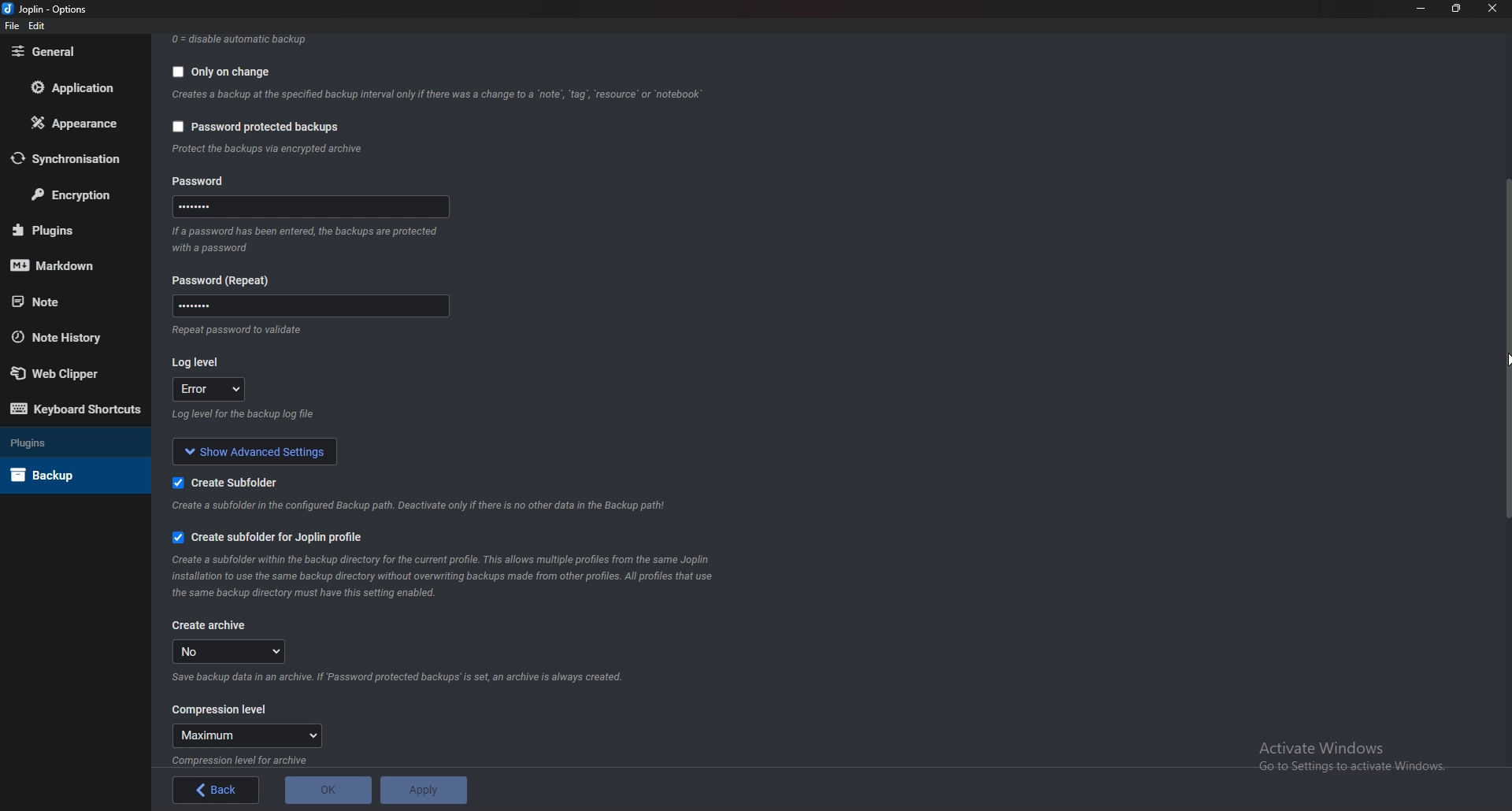 The image size is (1512, 811). Describe the element at coordinates (221, 279) in the screenshot. I see `Password` at that location.